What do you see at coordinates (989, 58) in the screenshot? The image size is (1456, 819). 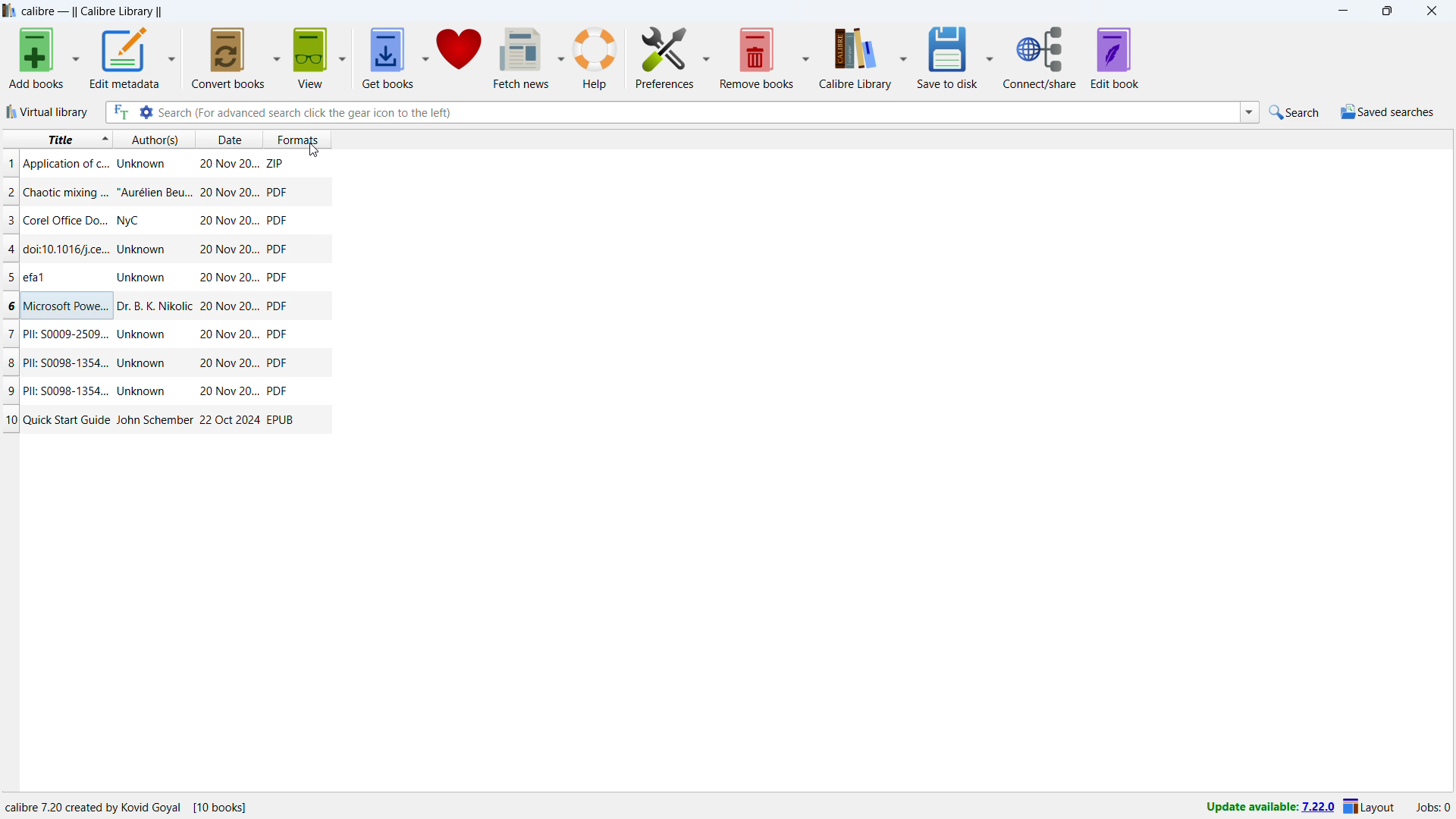 I see `save to disk options` at bounding box center [989, 58].